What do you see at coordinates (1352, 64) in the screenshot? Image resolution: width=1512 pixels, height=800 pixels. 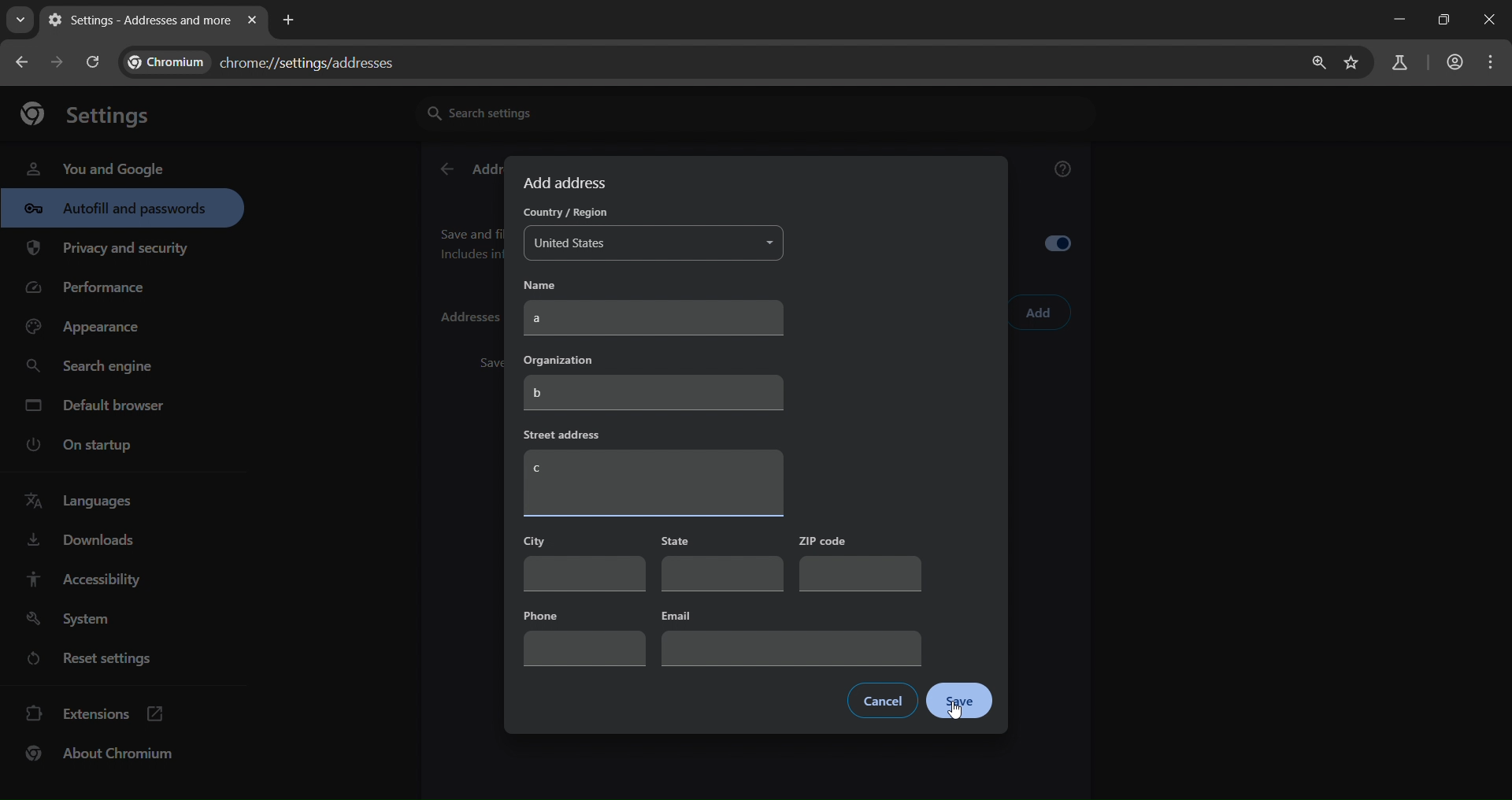 I see `bookmark page` at bounding box center [1352, 64].